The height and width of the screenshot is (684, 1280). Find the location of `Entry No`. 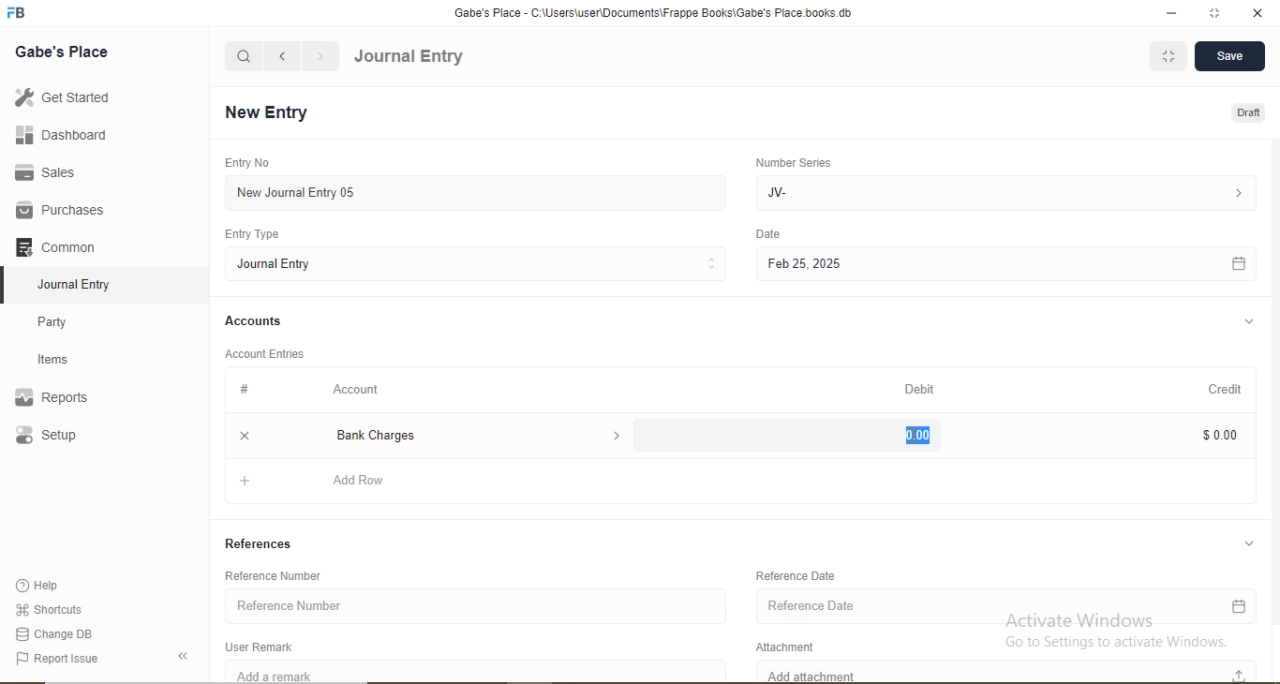

Entry No is located at coordinates (244, 162).